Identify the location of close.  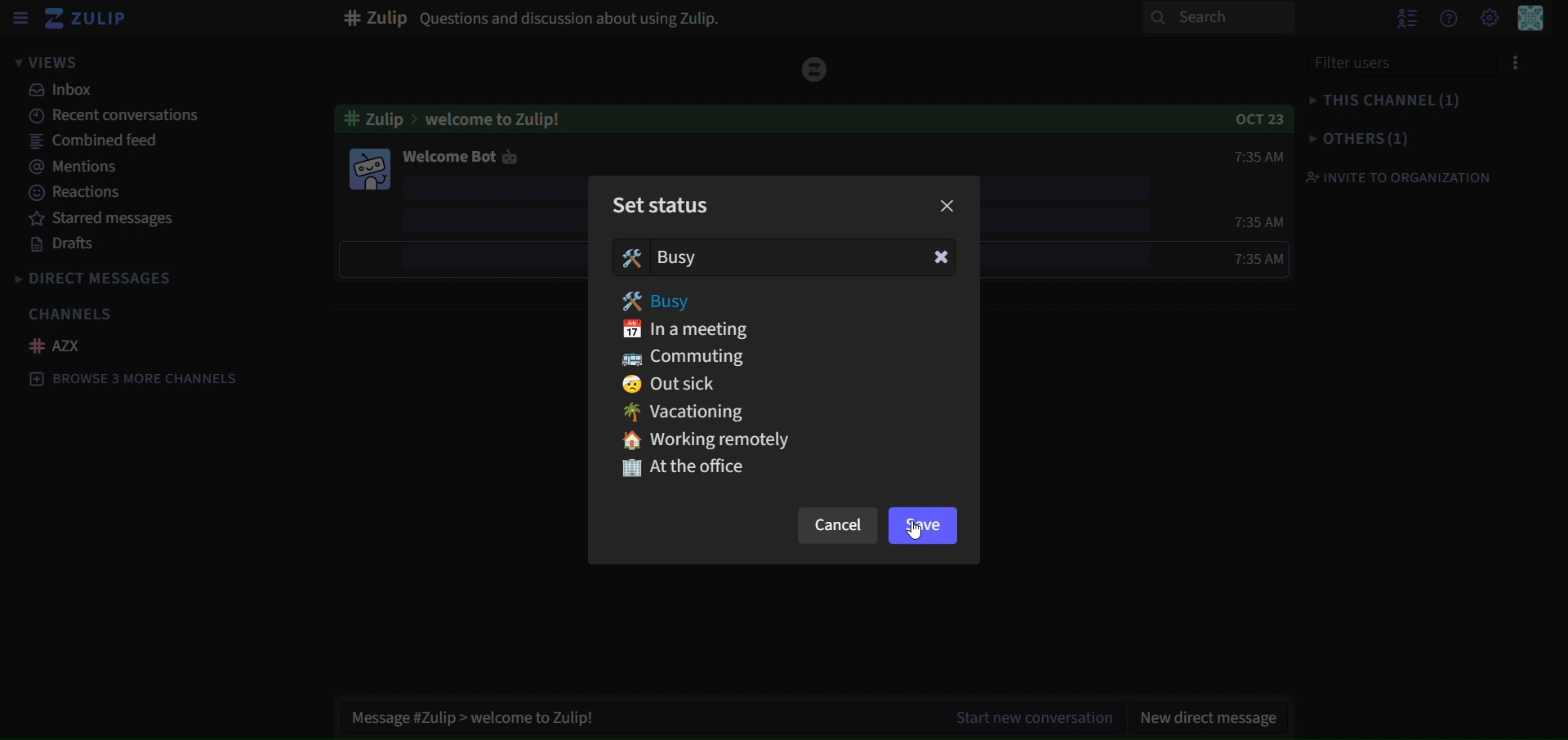
(947, 206).